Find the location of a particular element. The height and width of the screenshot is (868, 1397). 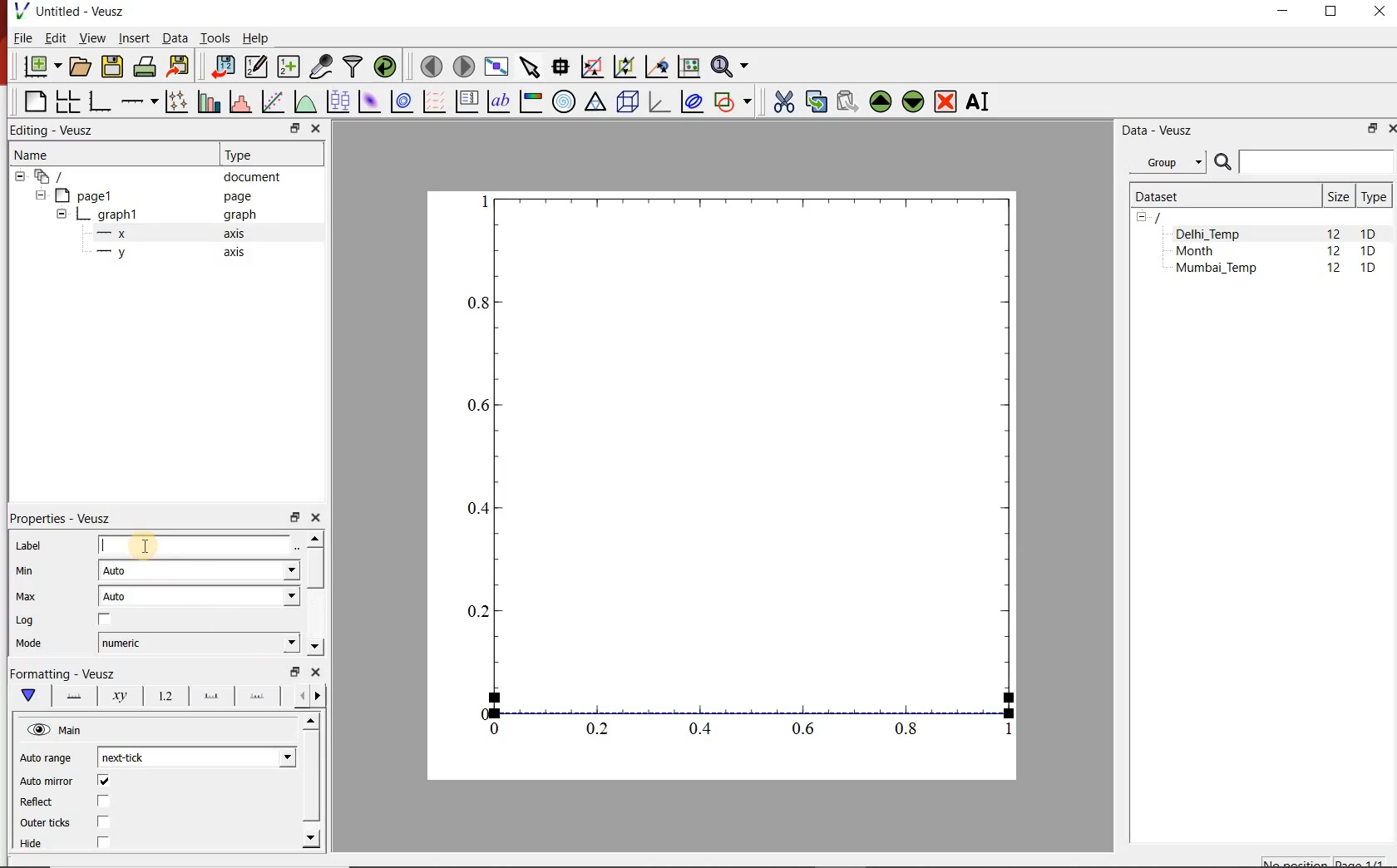

click to reset graph axes is located at coordinates (689, 67).